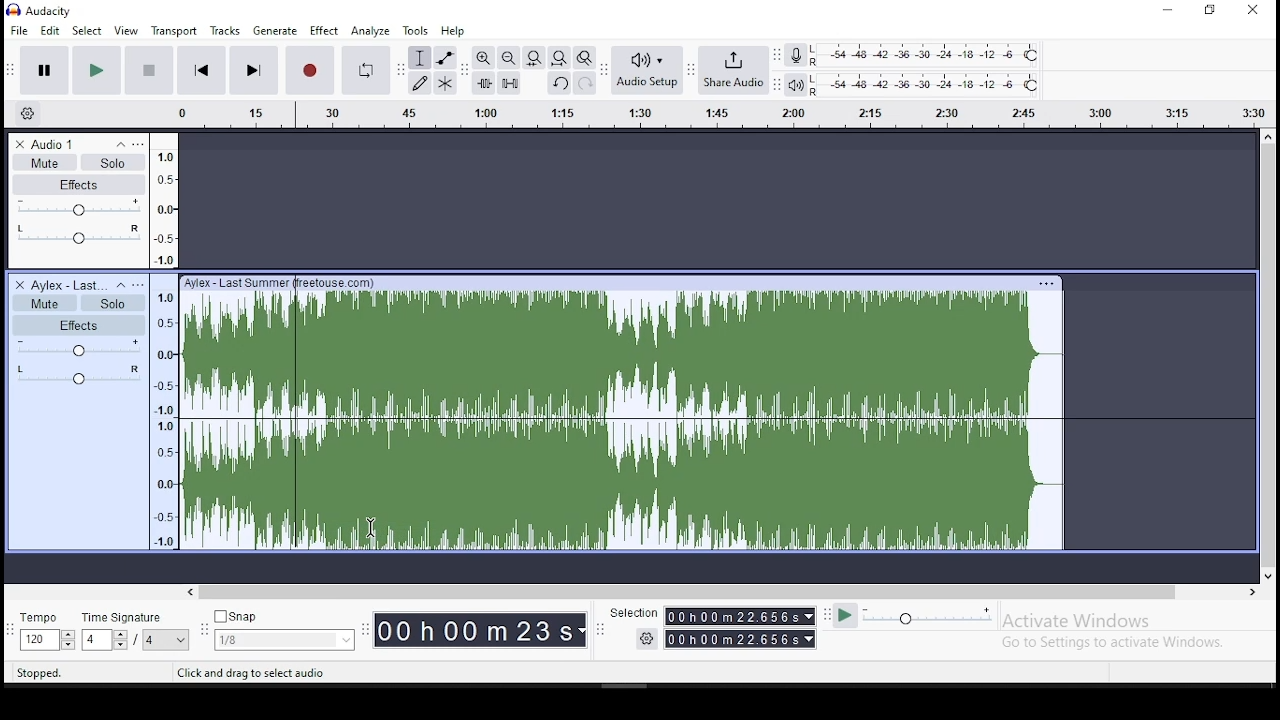 The height and width of the screenshot is (720, 1280). What do you see at coordinates (119, 144) in the screenshot?
I see `collapse` at bounding box center [119, 144].